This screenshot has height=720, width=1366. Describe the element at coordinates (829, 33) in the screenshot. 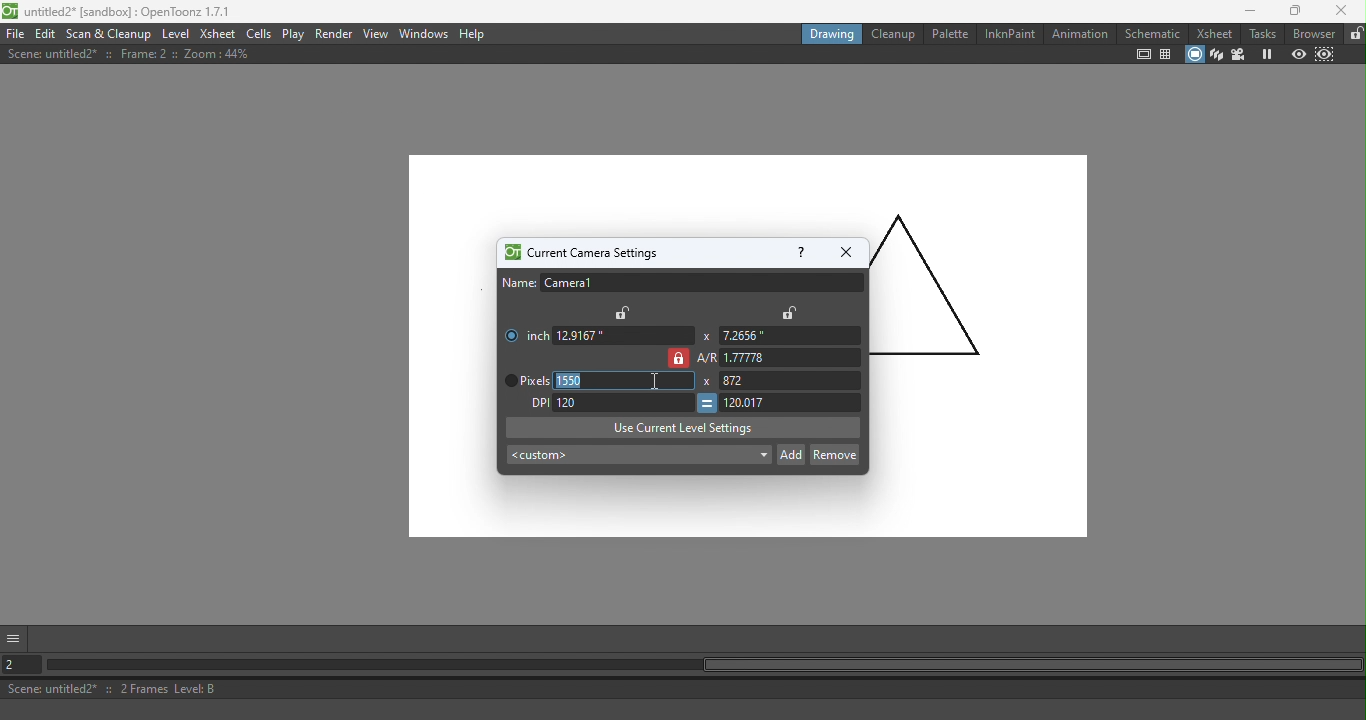

I see `Drawing` at that location.